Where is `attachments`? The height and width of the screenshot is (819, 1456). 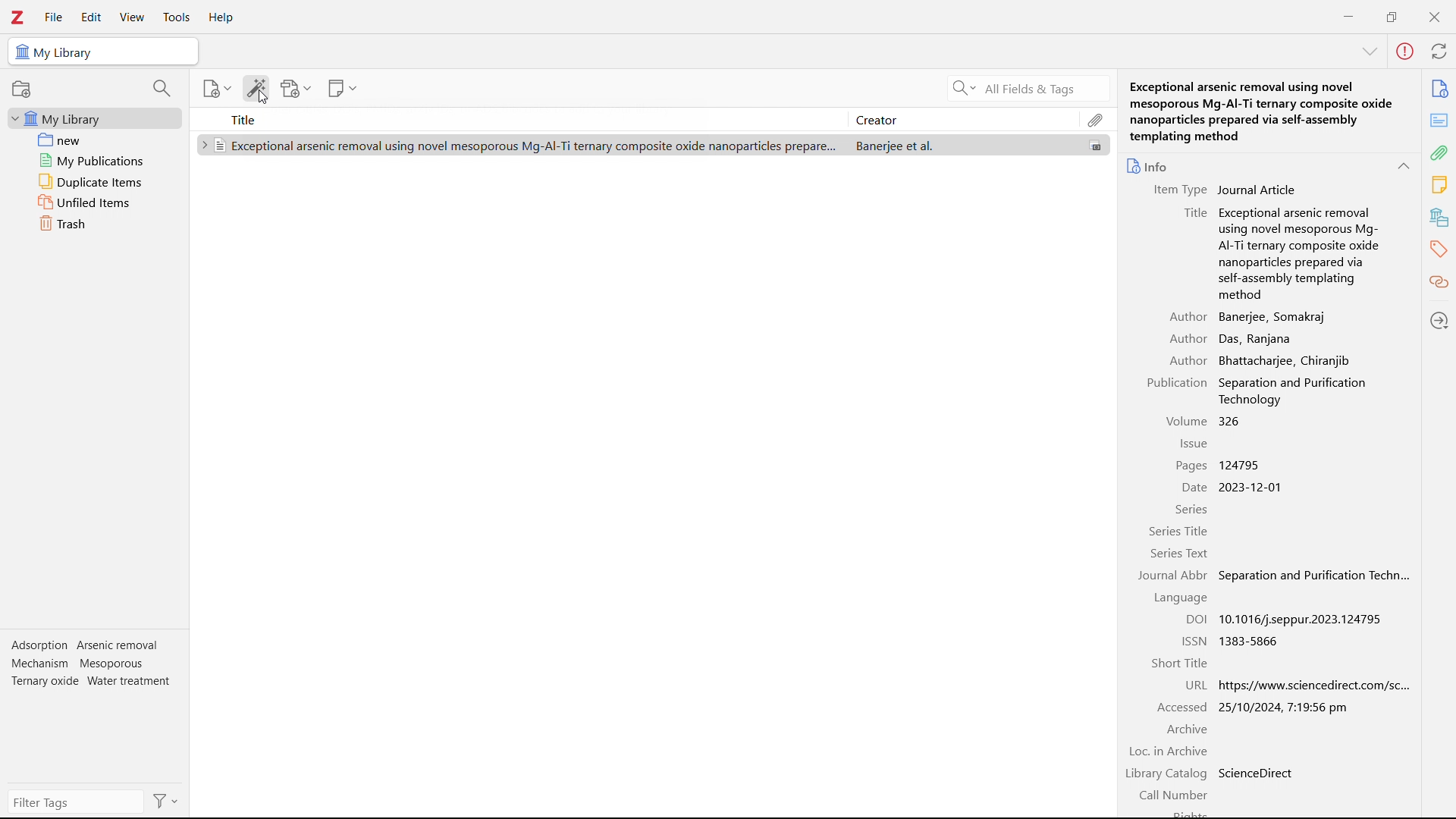
attachments is located at coordinates (1096, 119).